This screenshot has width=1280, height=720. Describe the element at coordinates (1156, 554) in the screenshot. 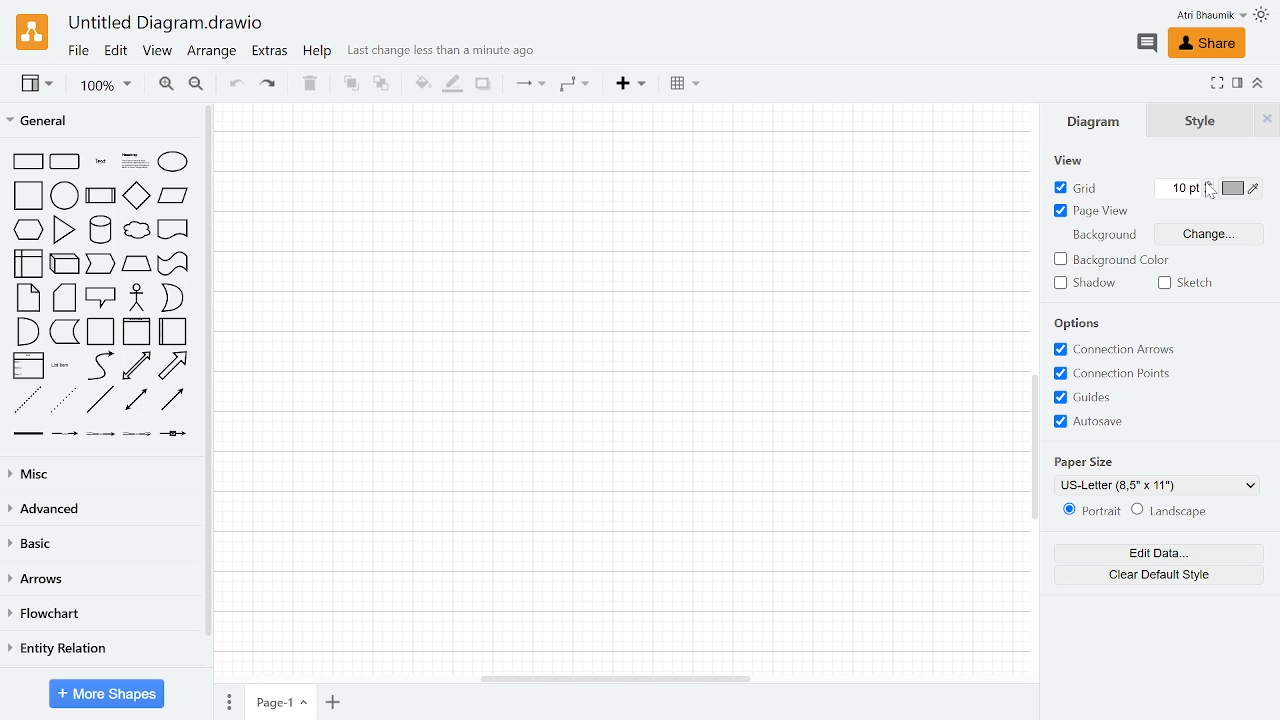

I see `Edit data` at that location.